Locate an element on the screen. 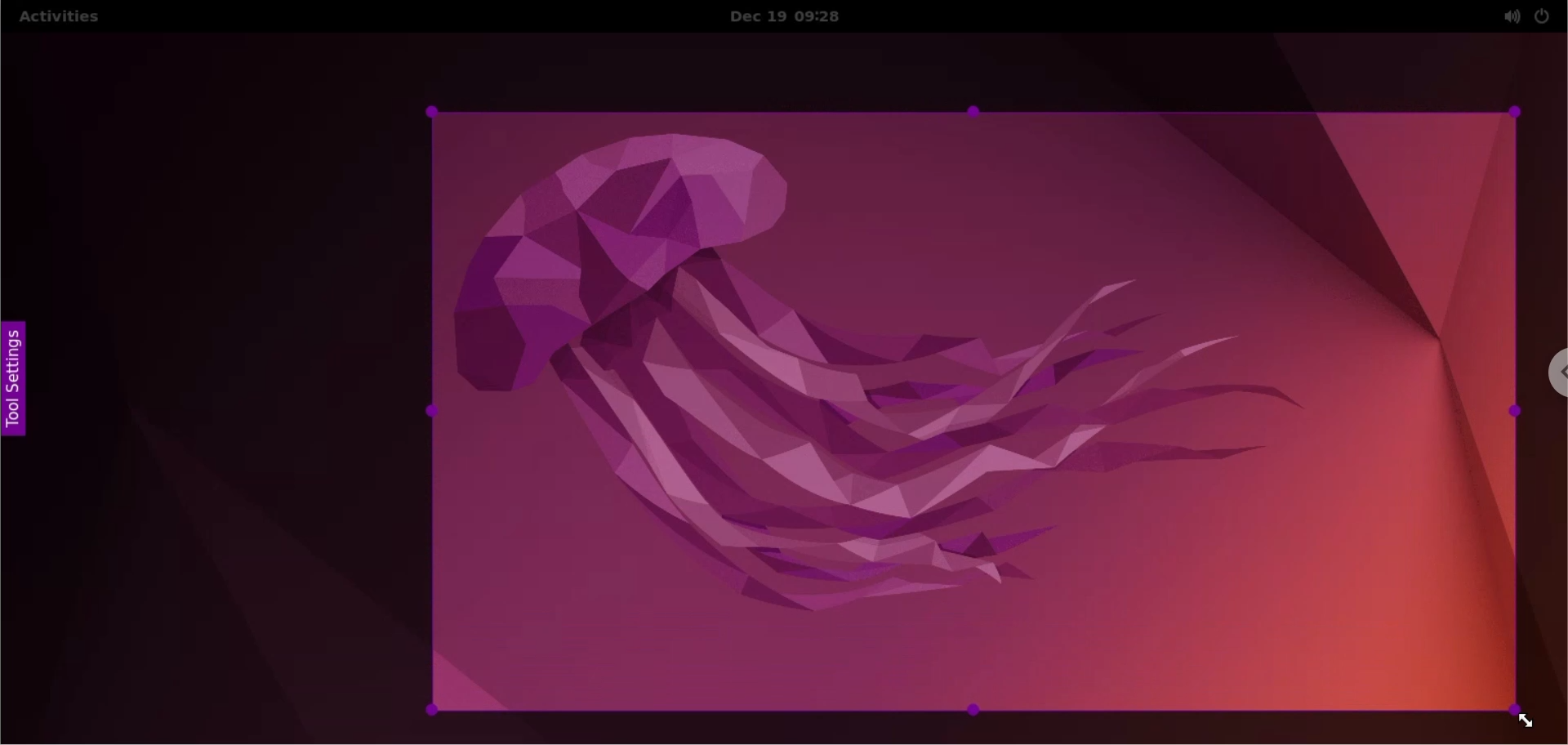 This screenshot has width=1568, height=745. selected area  is located at coordinates (974, 413).